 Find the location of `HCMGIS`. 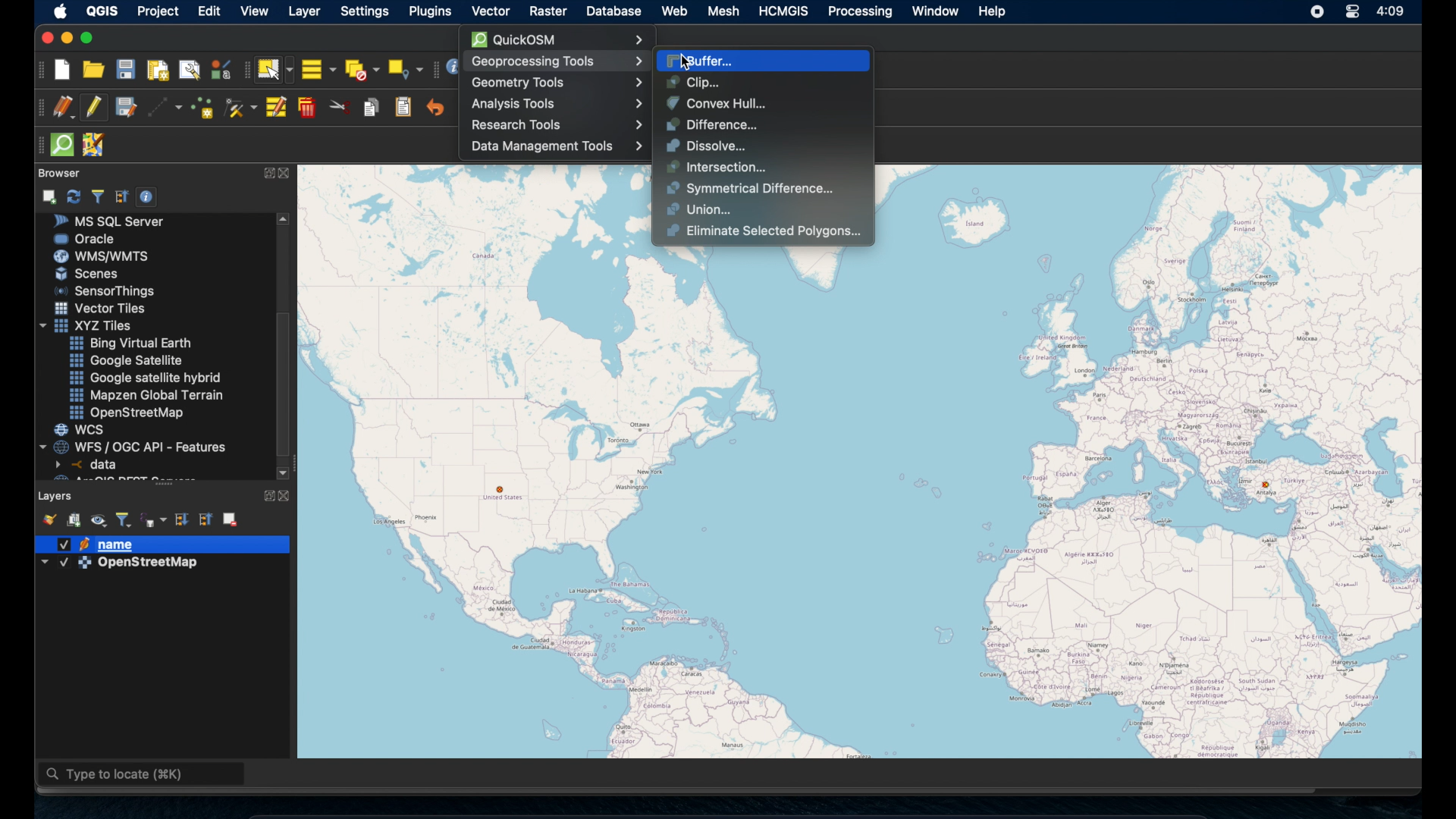

HCMGIS is located at coordinates (786, 11).